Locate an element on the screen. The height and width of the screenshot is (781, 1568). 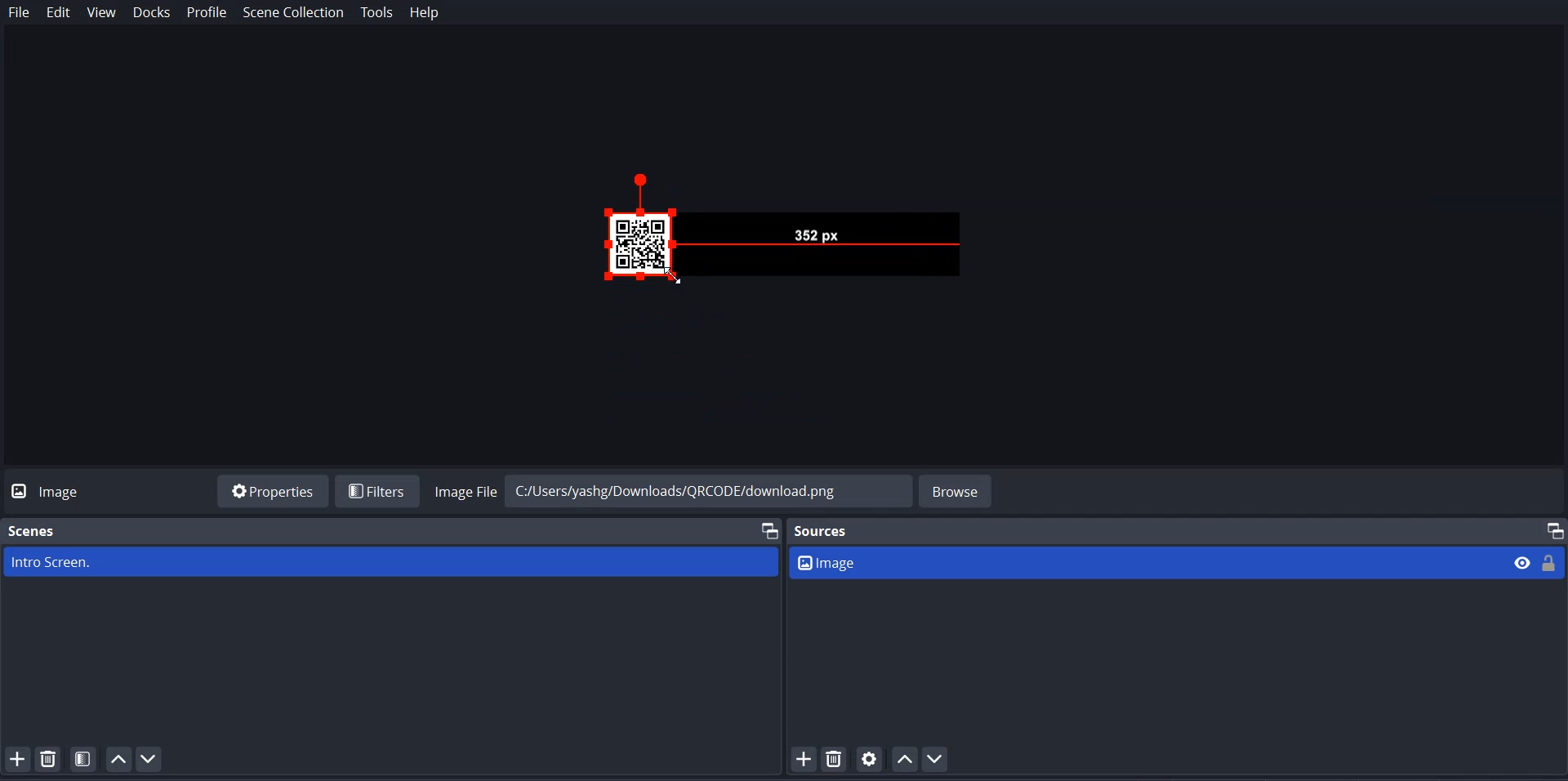
Help is located at coordinates (425, 13).